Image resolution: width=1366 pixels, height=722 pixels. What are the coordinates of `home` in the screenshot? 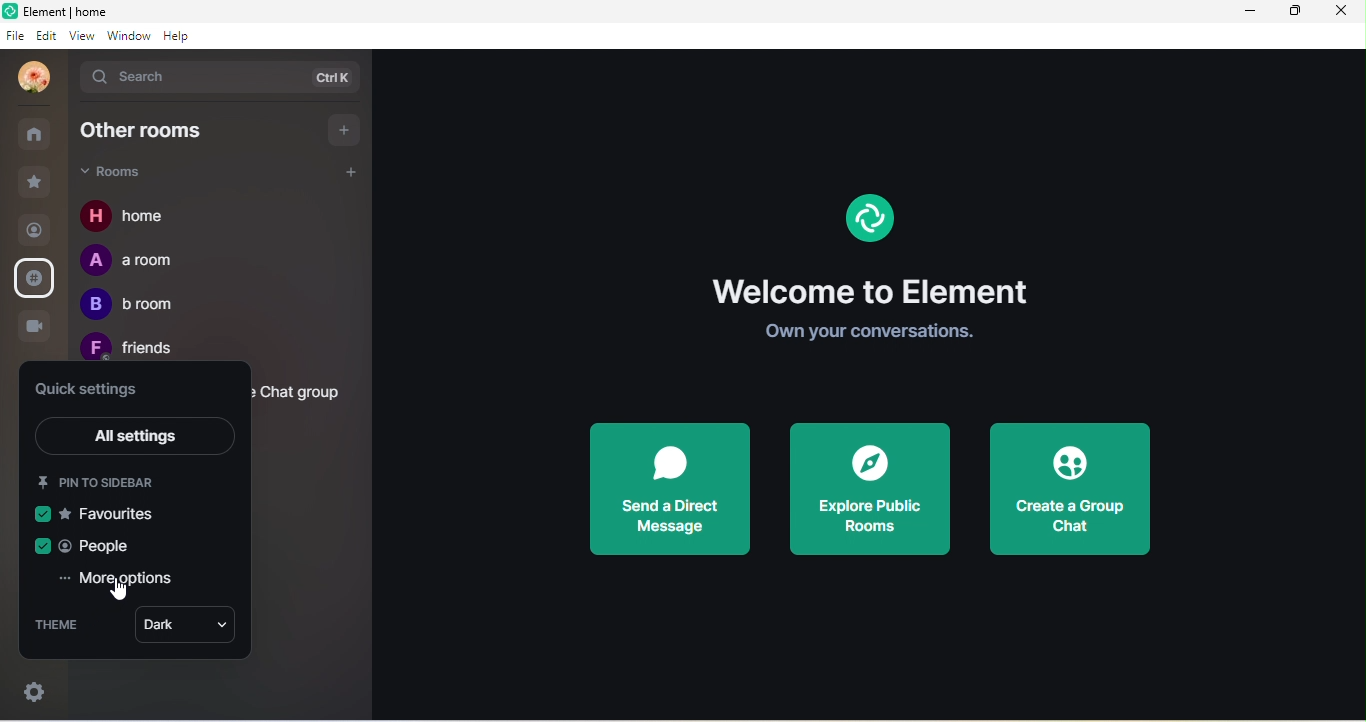 It's located at (132, 218).